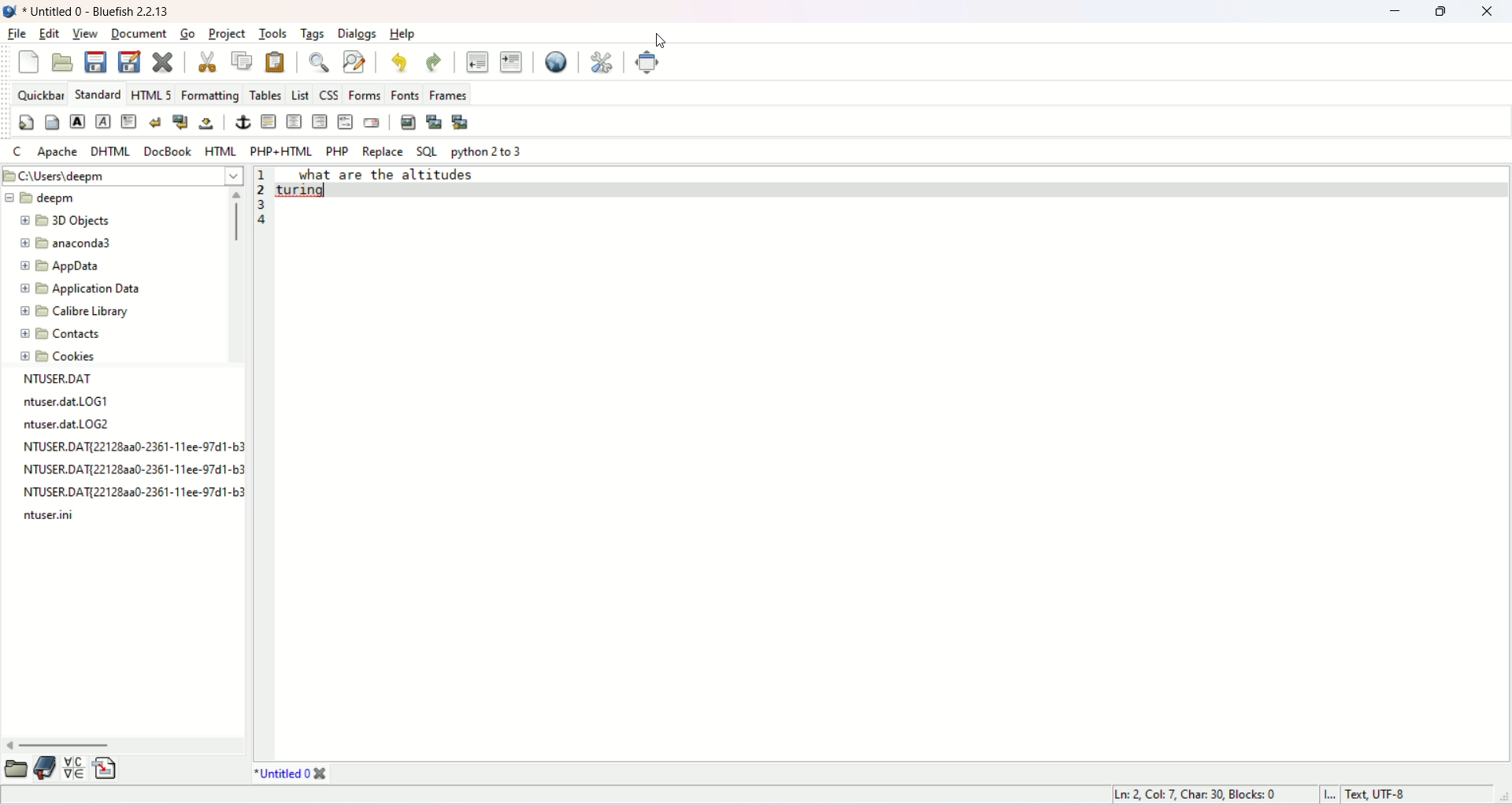  What do you see at coordinates (137, 33) in the screenshot?
I see `document` at bounding box center [137, 33].